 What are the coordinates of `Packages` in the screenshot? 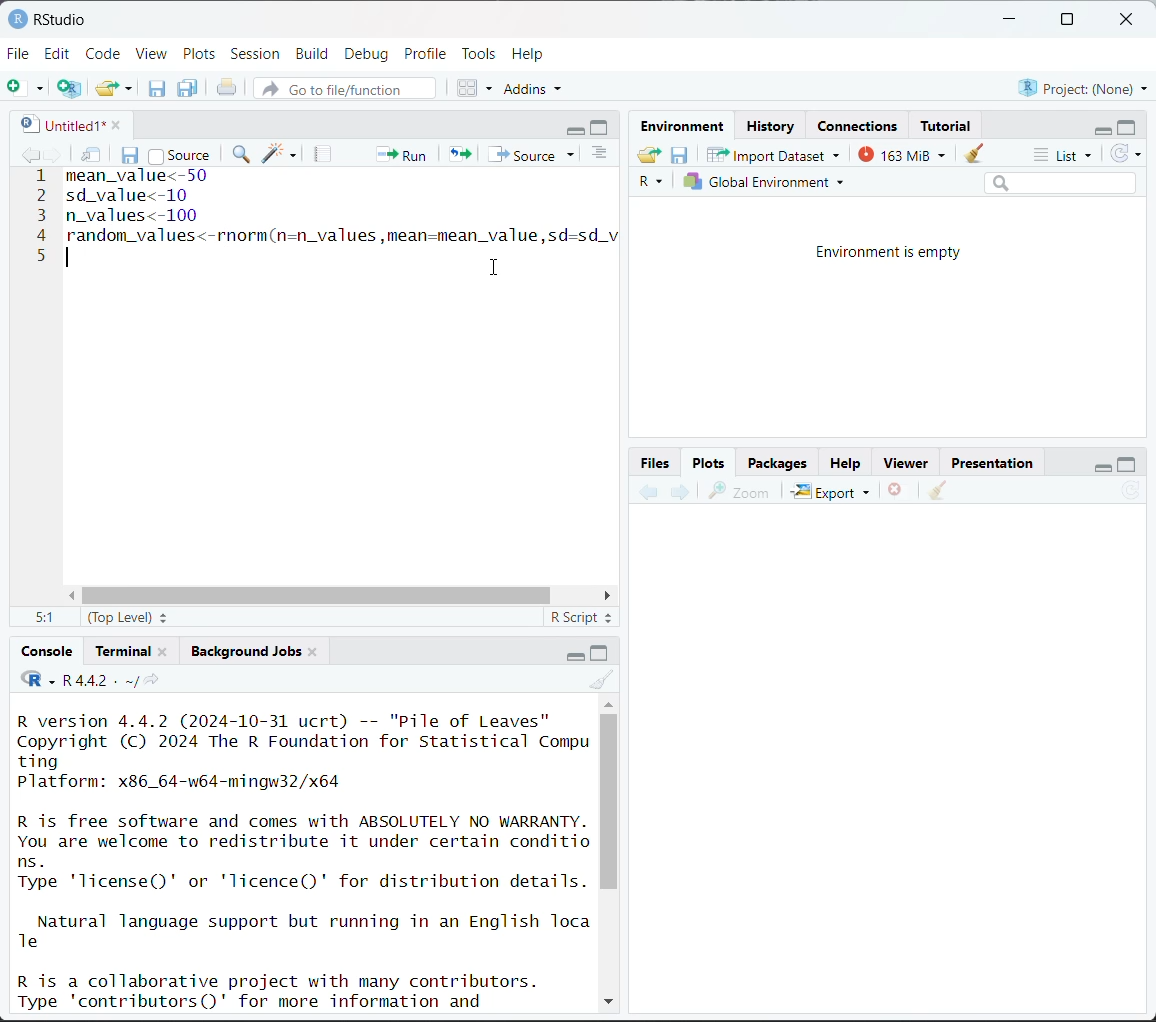 It's located at (777, 462).